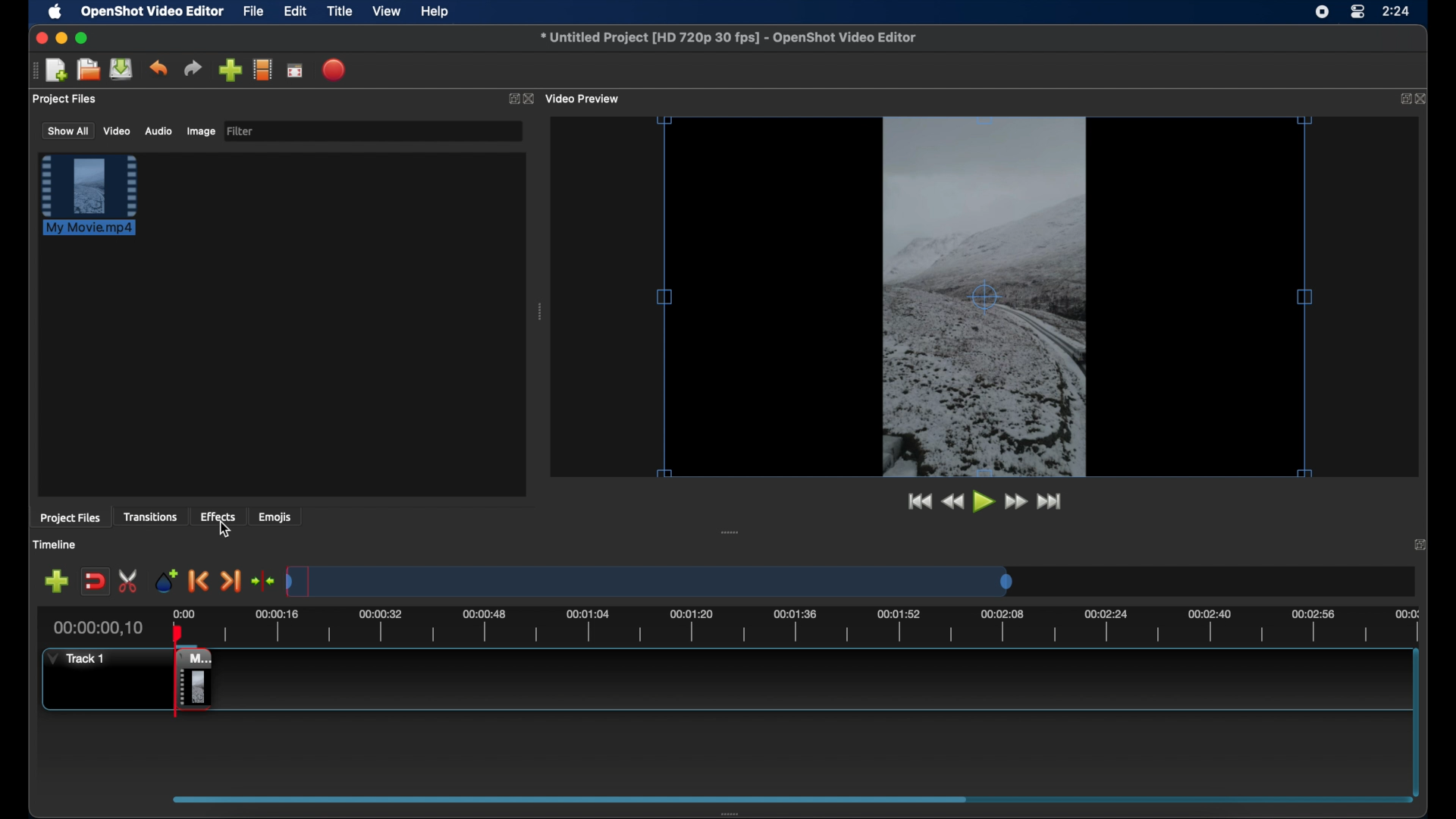  Describe the element at coordinates (65, 99) in the screenshot. I see `project files` at that location.